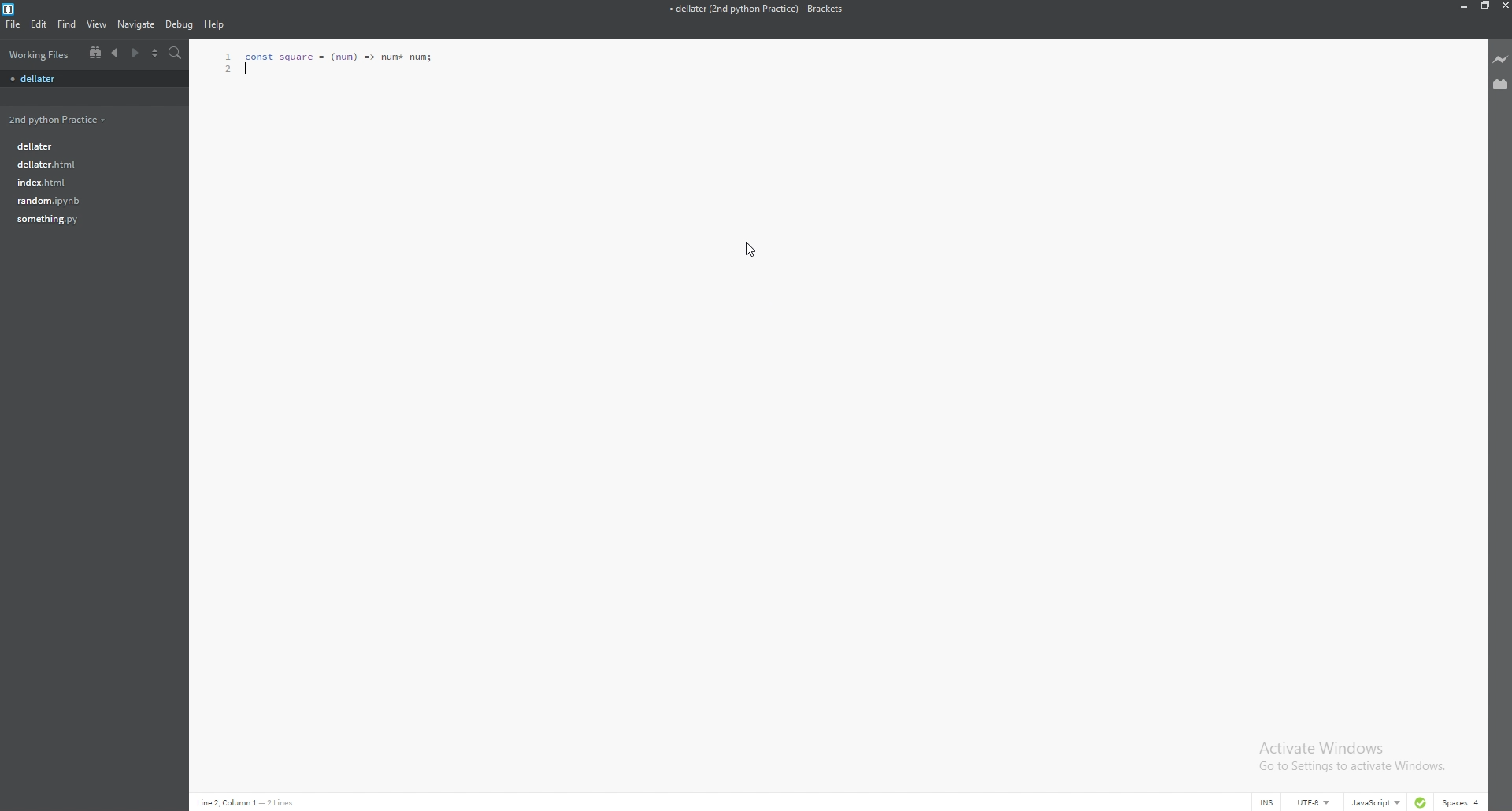 The width and height of the screenshot is (1512, 811). Describe the element at coordinates (1462, 802) in the screenshot. I see `spaces` at that location.